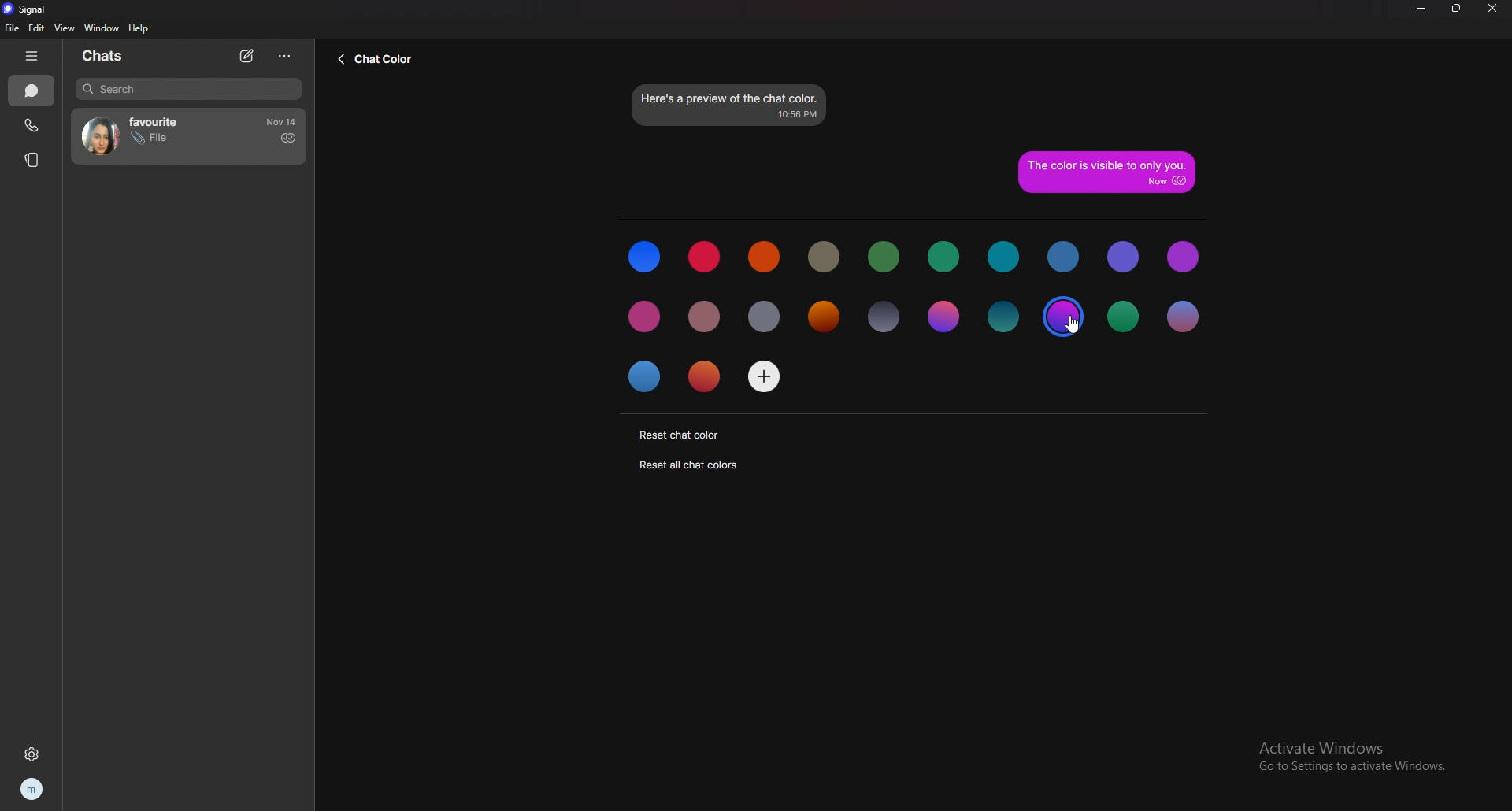 The width and height of the screenshot is (1512, 811). I want to click on stories, so click(33, 158).